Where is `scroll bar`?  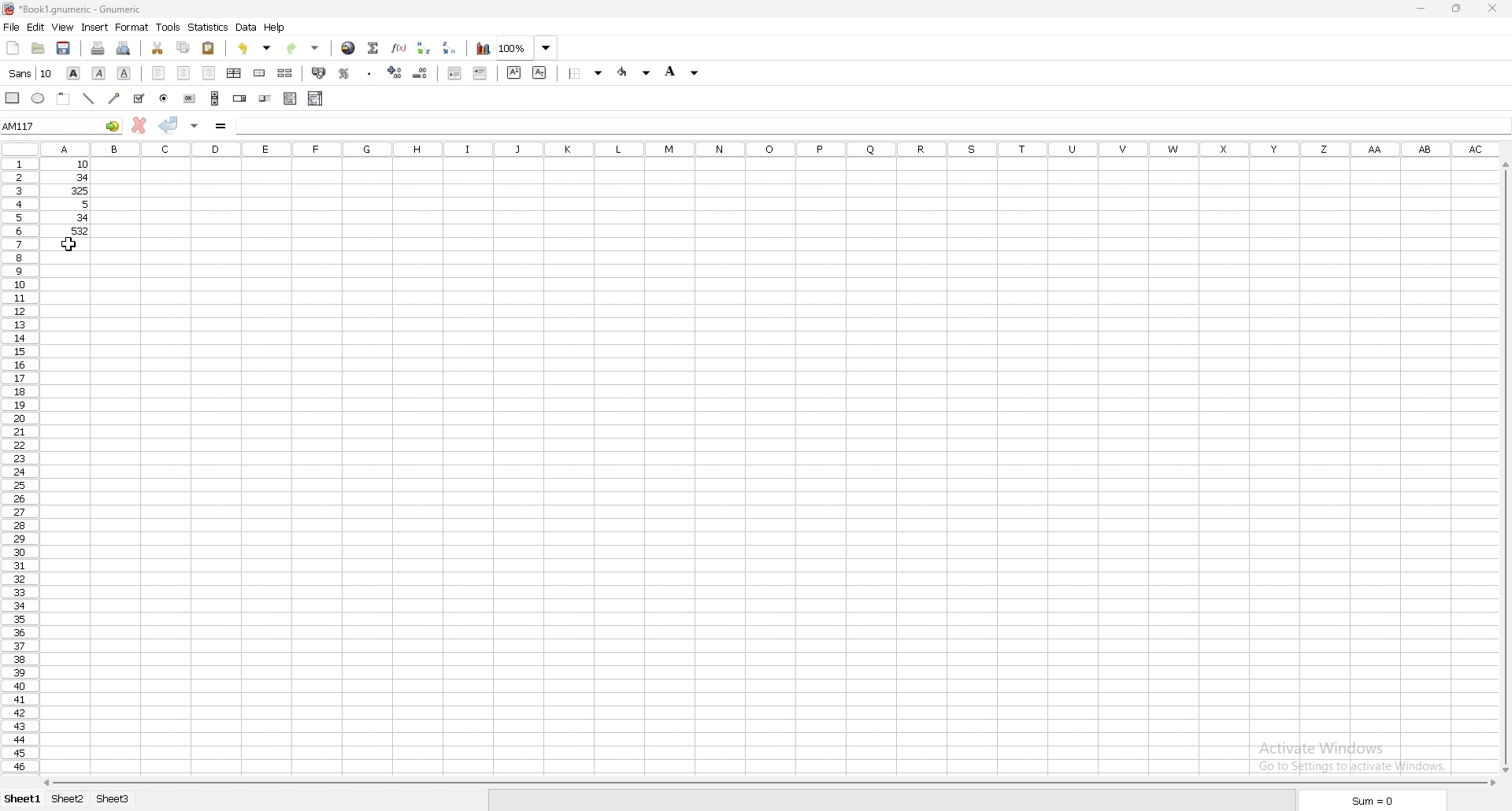 scroll bar is located at coordinates (1504, 466).